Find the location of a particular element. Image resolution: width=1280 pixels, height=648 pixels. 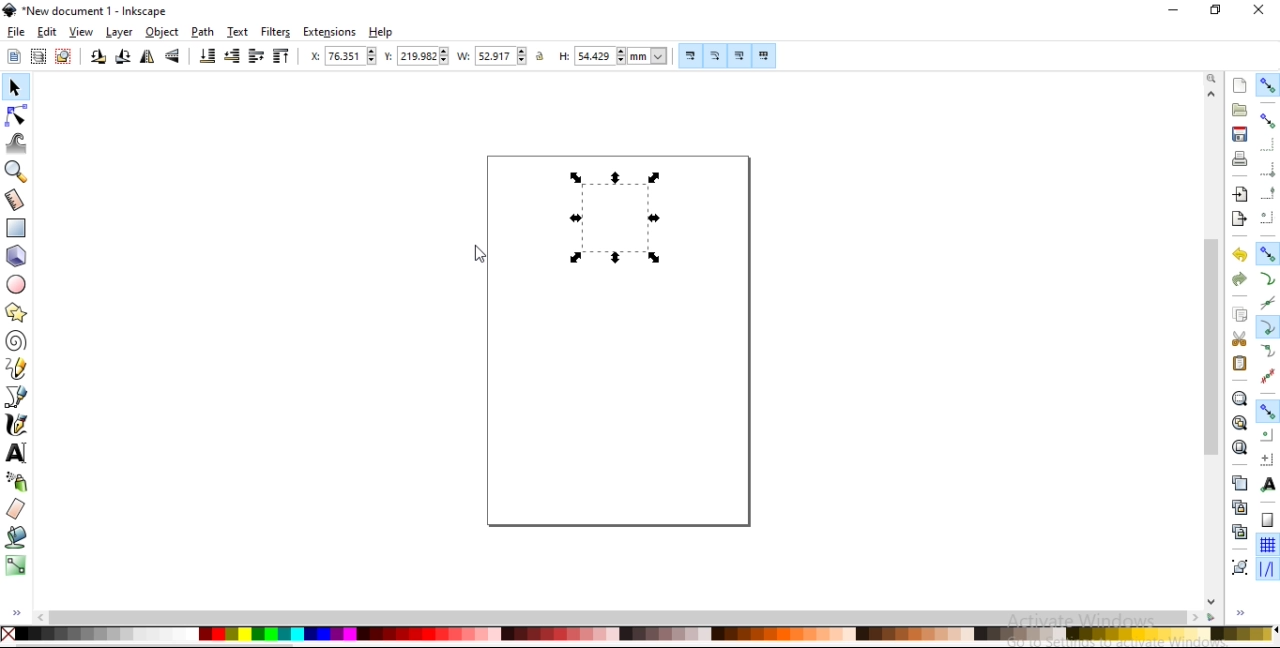

create and edit gradients is located at coordinates (17, 566).